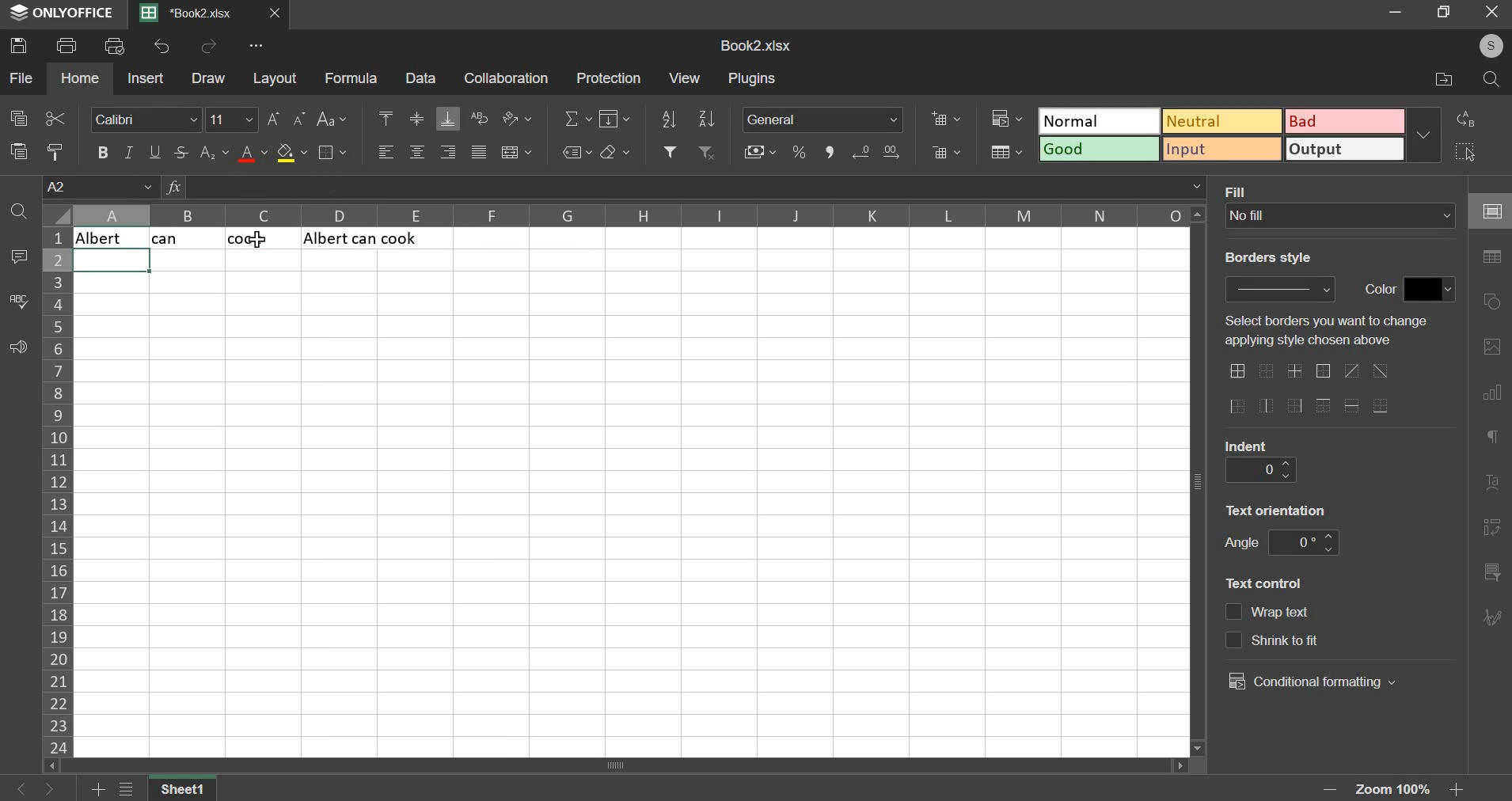 The height and width of the screenshot is (801, 1512). What do you see at coordinates (420, 78) in the screenshot?
I see `data` at bounding box center [420, 78].